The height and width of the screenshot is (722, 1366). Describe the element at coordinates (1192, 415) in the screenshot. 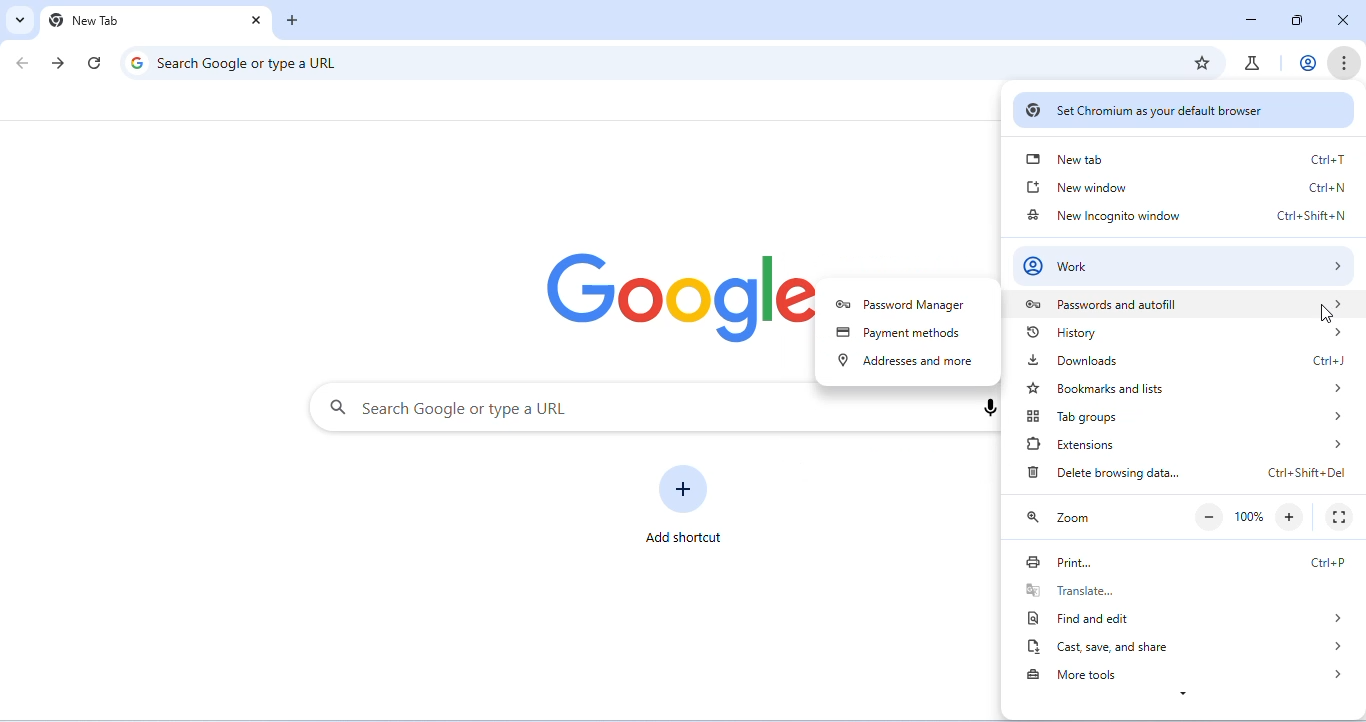

I see `tab groups` at that location.